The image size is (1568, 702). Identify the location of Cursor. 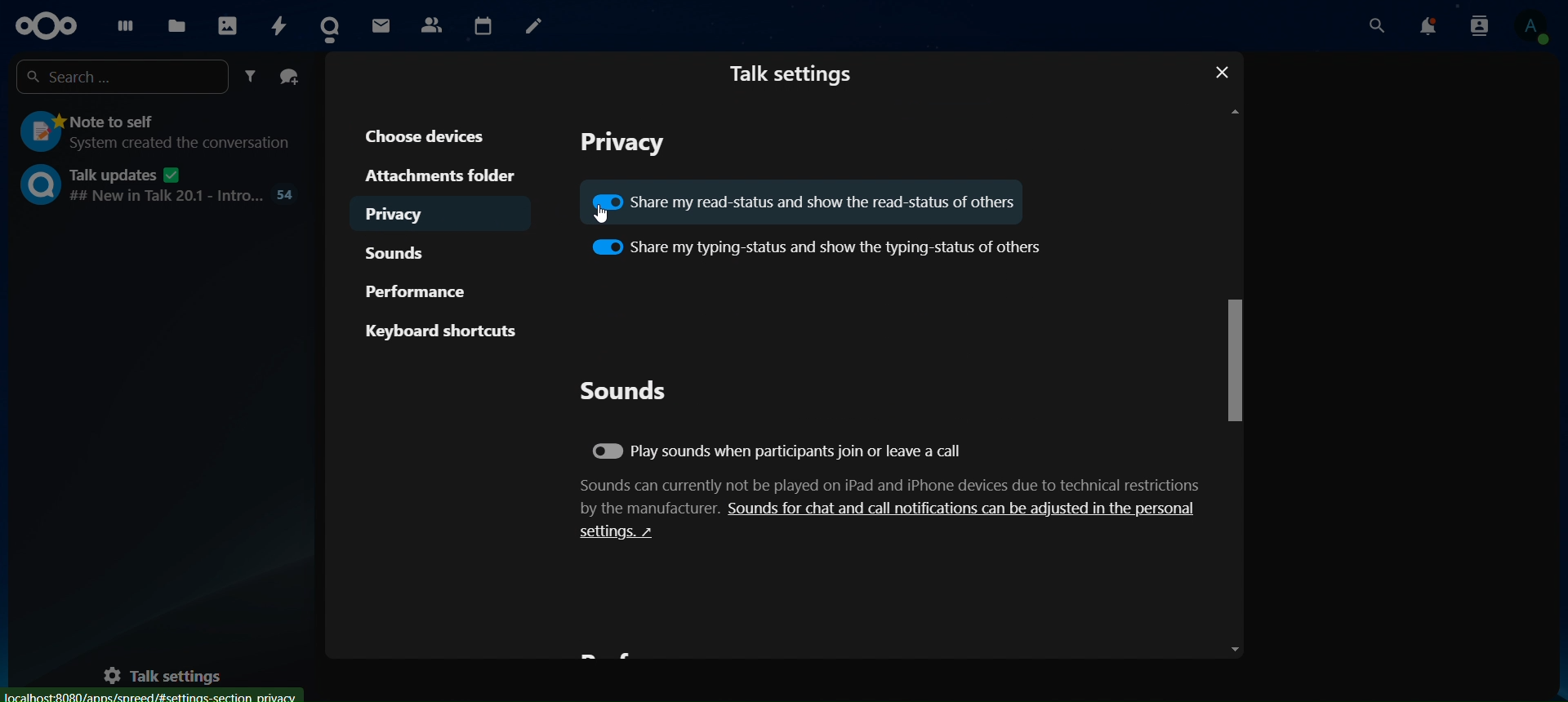
(601, 216).